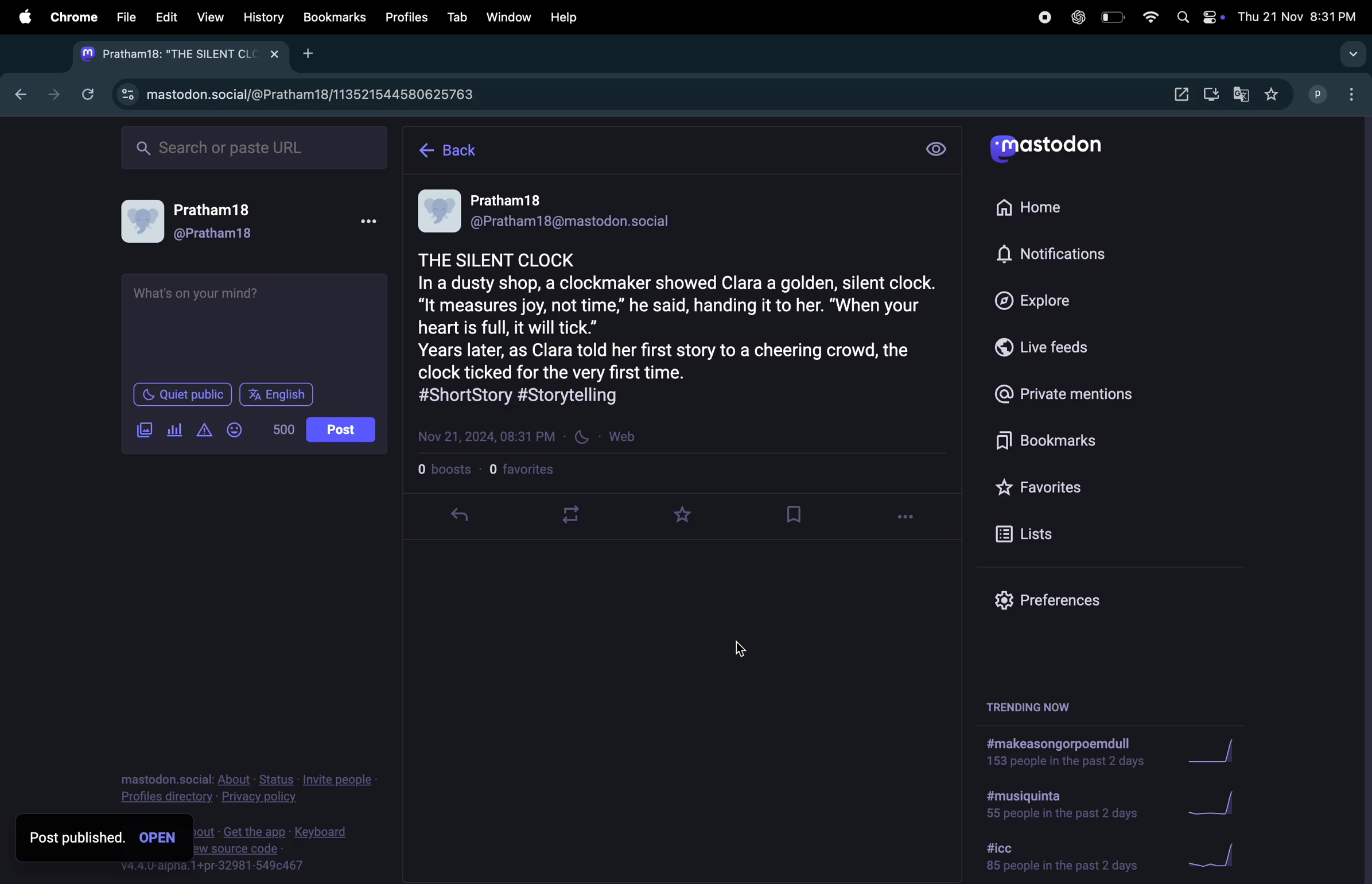 The image size is (1372, 884). I want to click on emoji , so click(237, 429).